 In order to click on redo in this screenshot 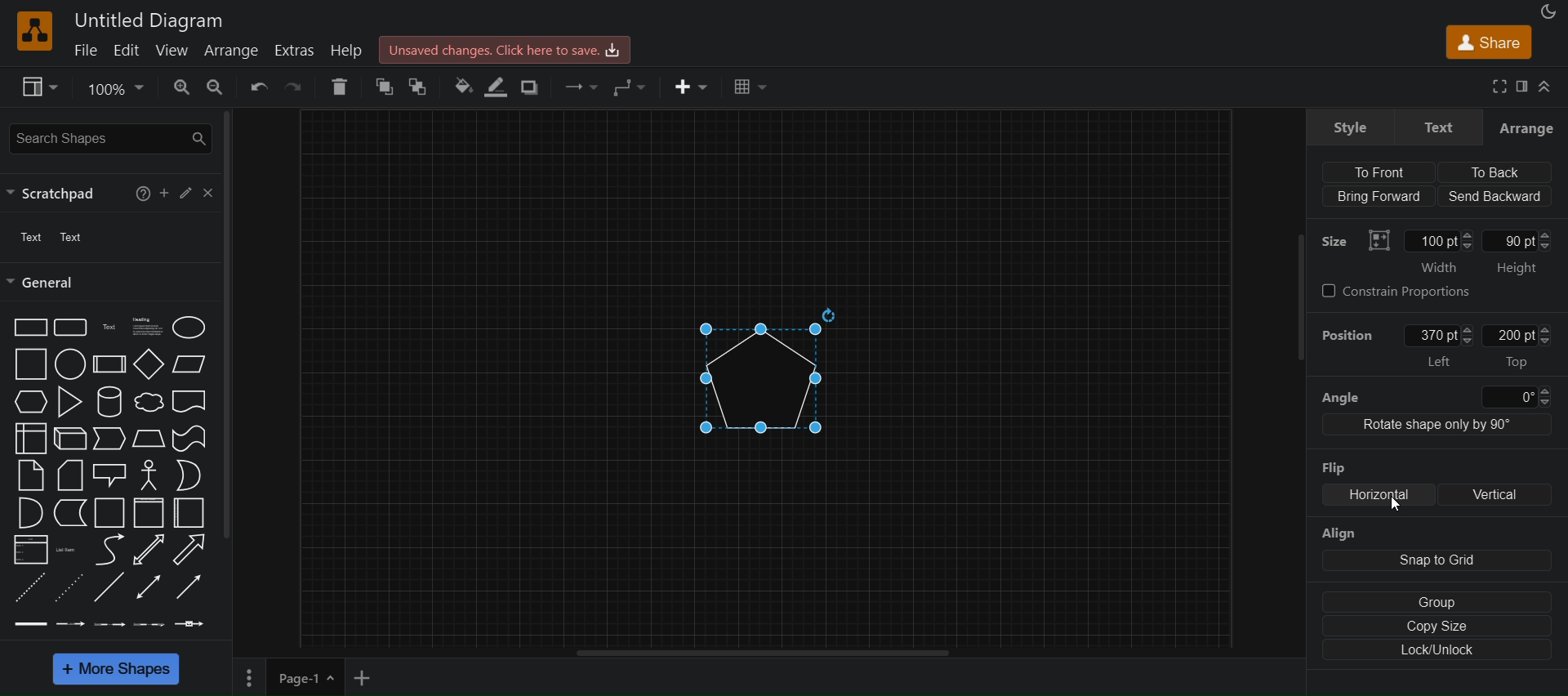, I will do `click(295, 90)`.